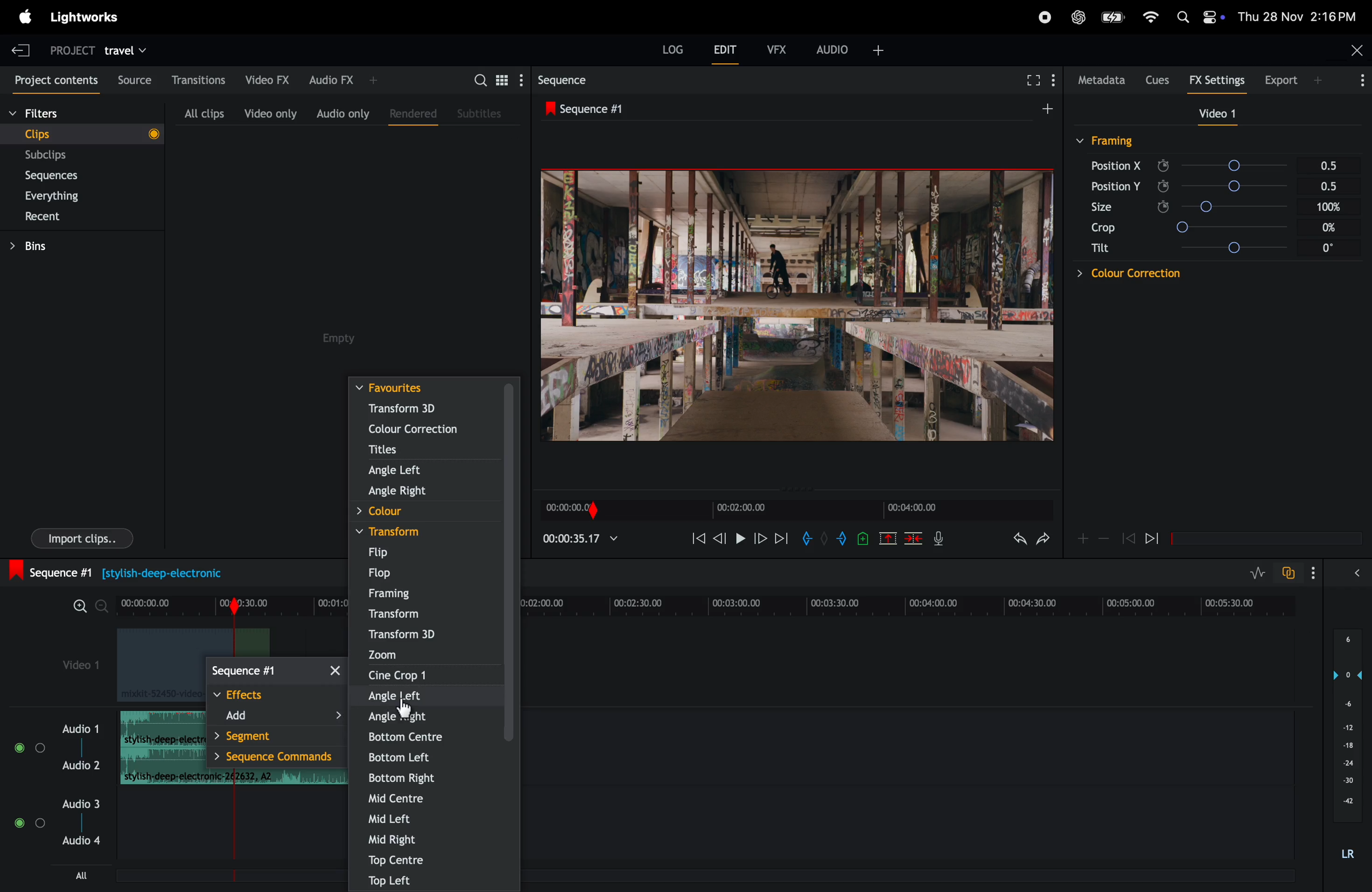 This screenshot has height=892, width=1372. Describe the element at coordinates (1345, 751) in the screenshot. I see `pitch level` at that location.